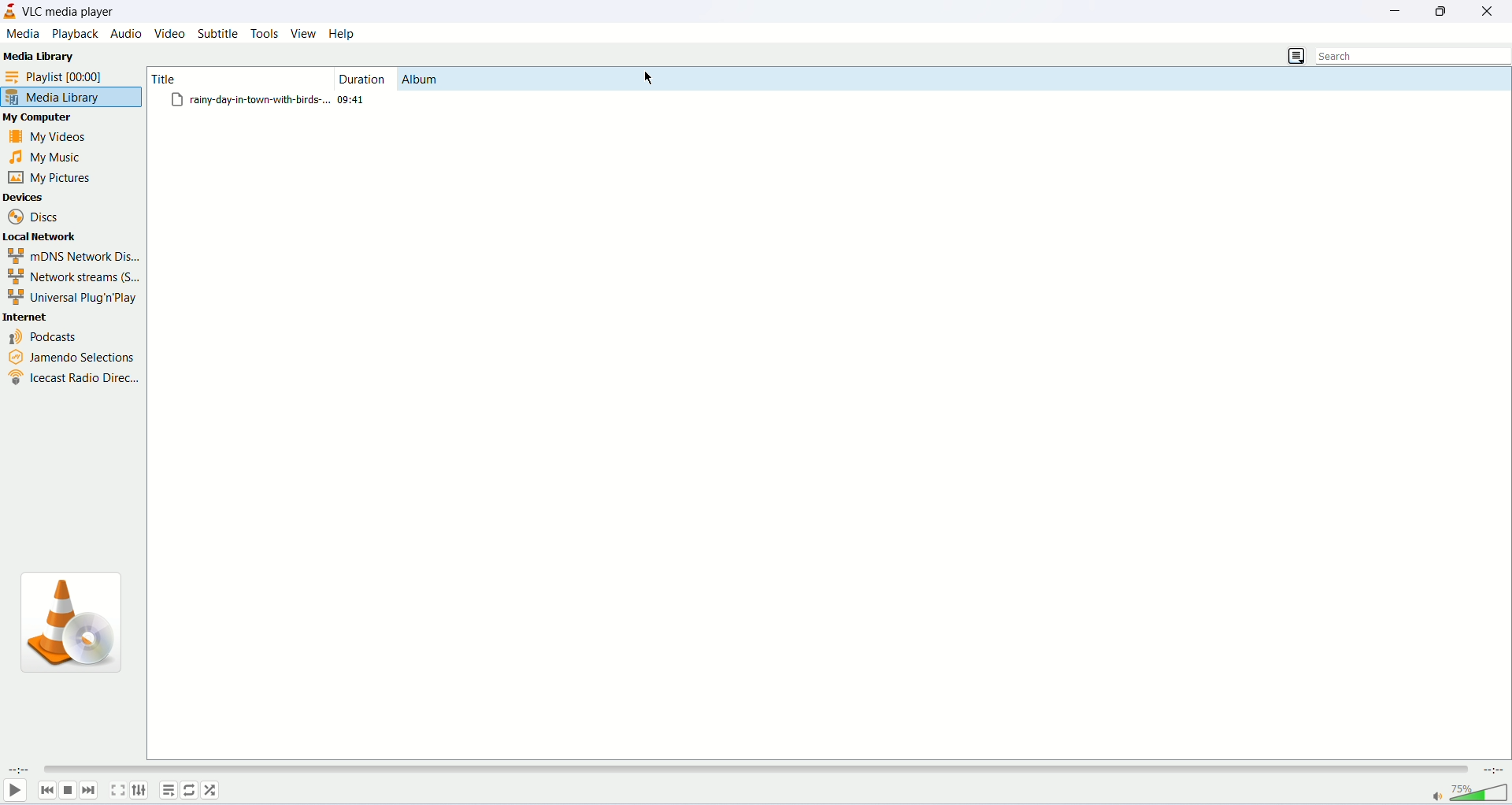 The height and width of the screenshot is (805, 1512). Describe the element at coordinates (92, 790) in the screenshot. I see `next` at that location.